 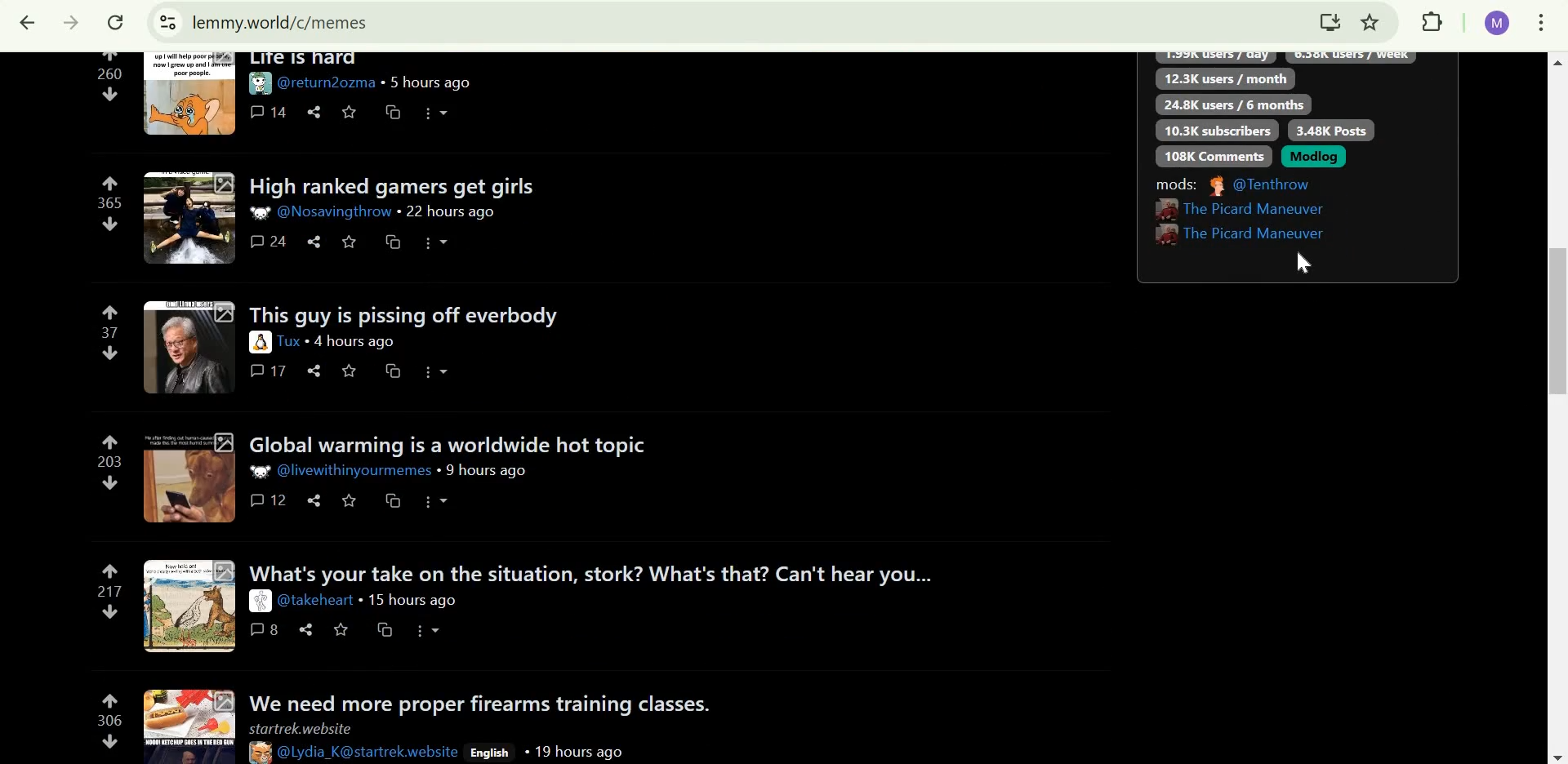 I want to click on lemmy.world/c/memes, so click(x=283, y=22).